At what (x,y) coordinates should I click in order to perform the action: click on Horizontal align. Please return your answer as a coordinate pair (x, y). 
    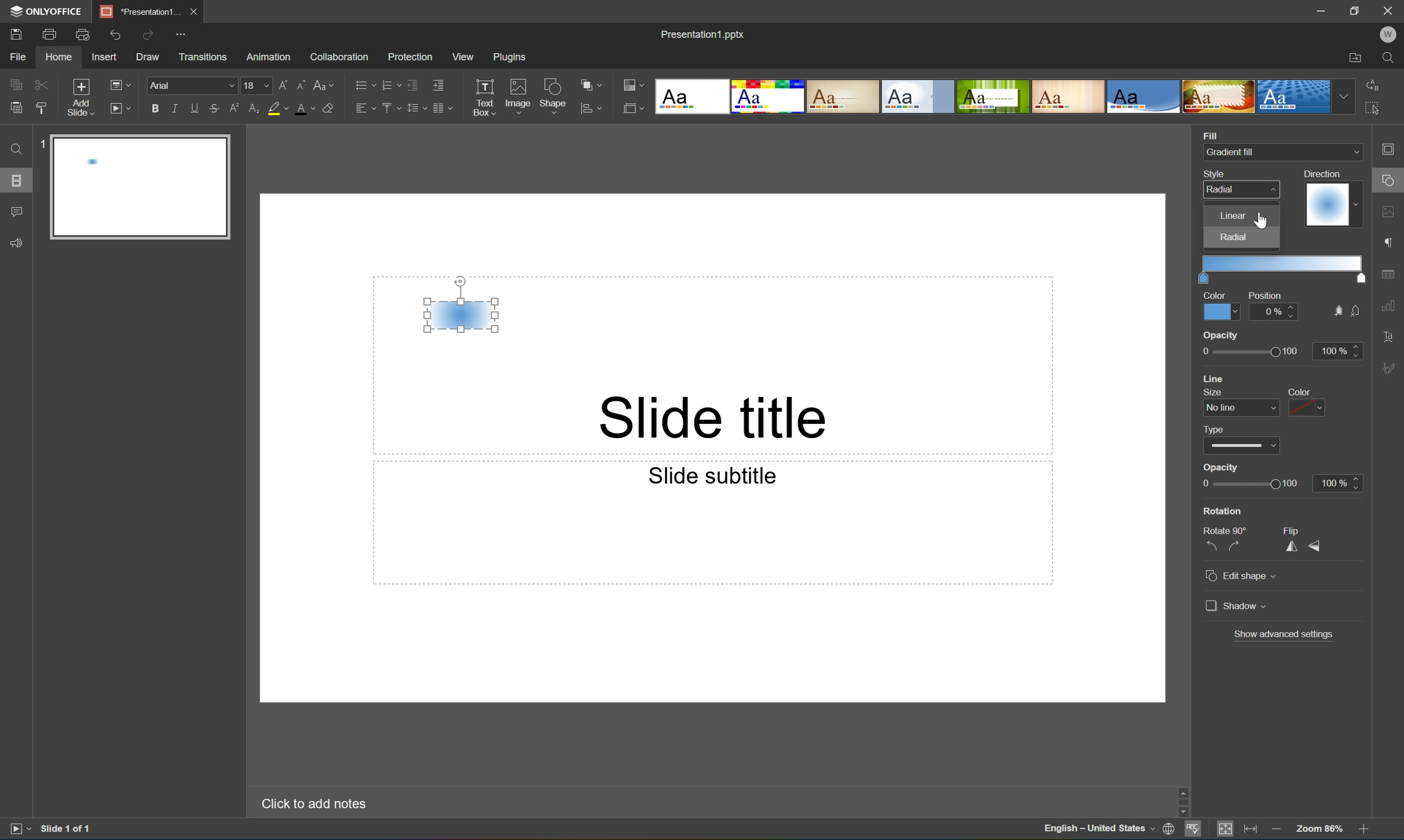
    Looking at the image, I should click on (365, 109).